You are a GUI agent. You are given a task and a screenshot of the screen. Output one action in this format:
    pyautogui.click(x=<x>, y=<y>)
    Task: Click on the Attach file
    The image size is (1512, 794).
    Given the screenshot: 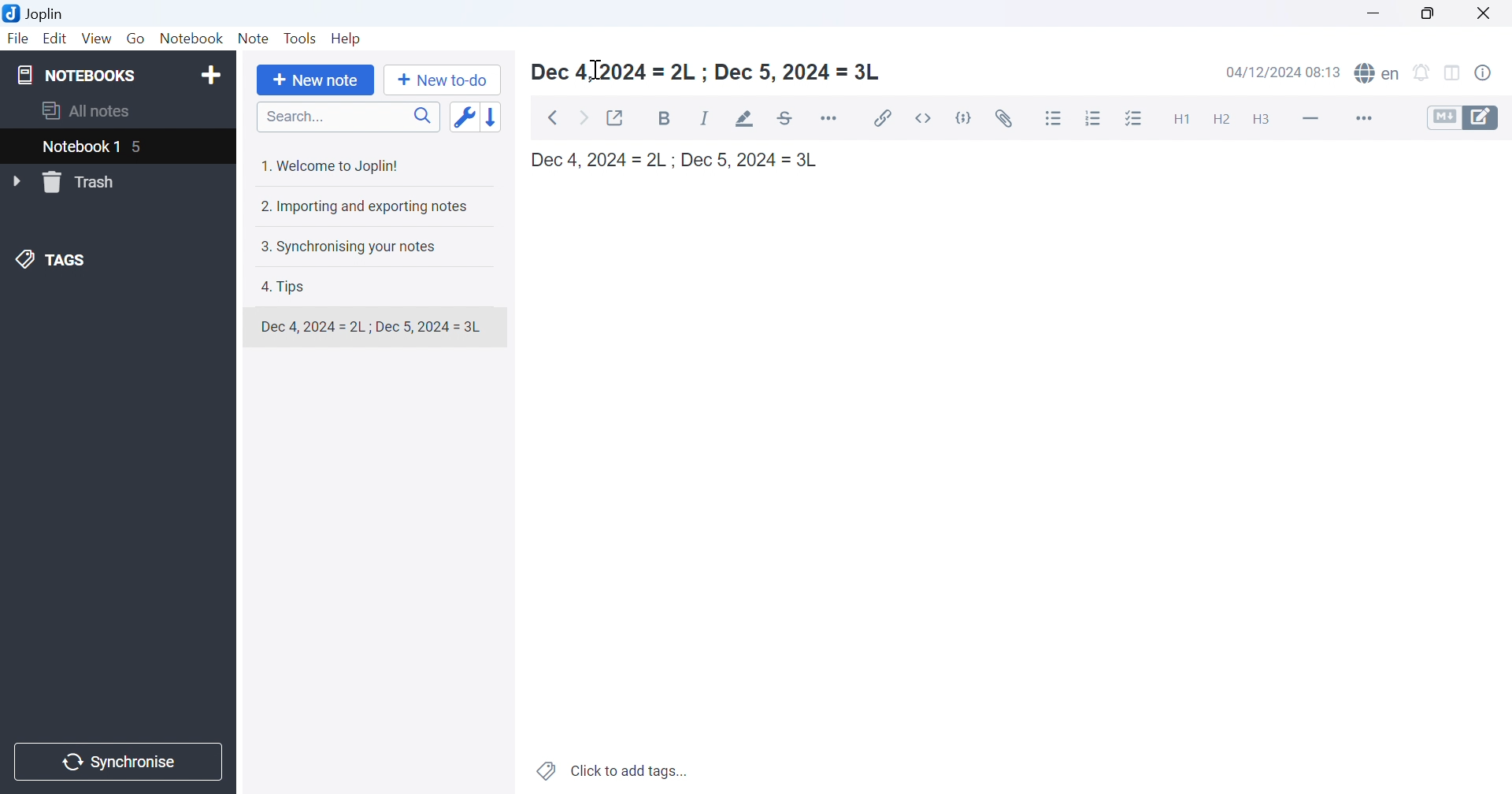 What is the action you would take?
    pyautogui.click(x=1005, y=118)
    